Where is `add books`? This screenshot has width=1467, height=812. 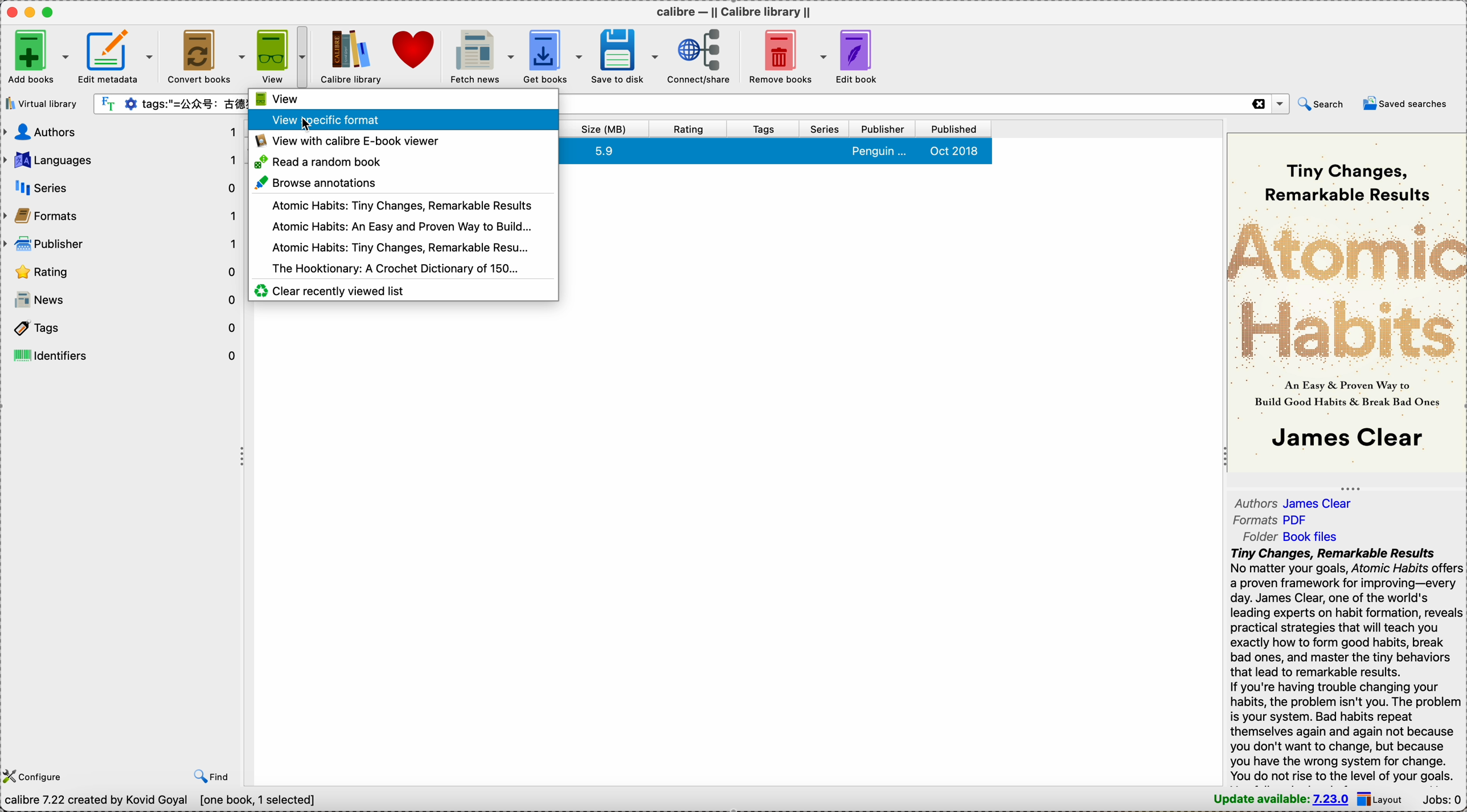
add books is located at coordinates (39, 54).